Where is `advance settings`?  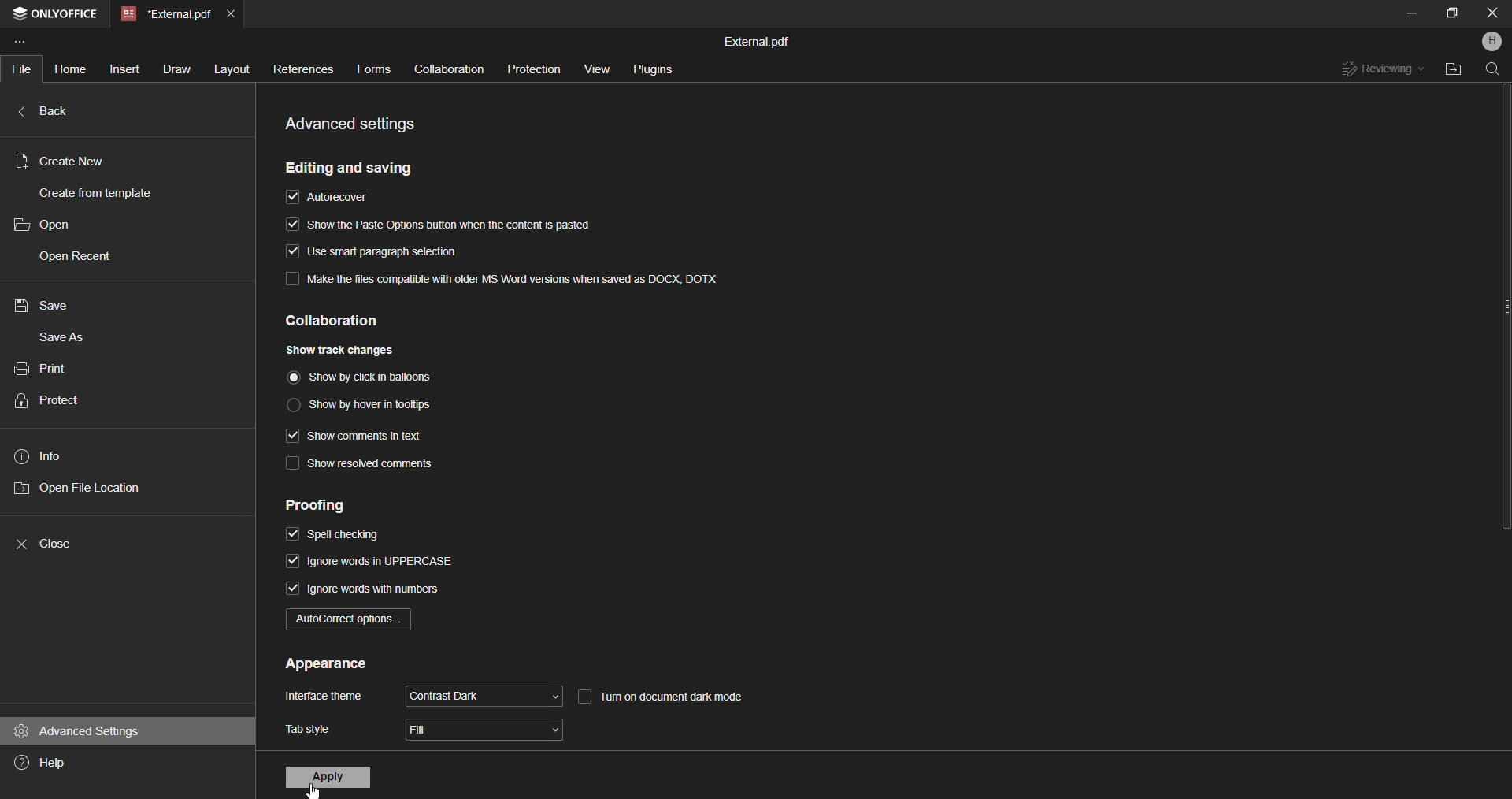 advance settings is located at coordinates (357, 123).